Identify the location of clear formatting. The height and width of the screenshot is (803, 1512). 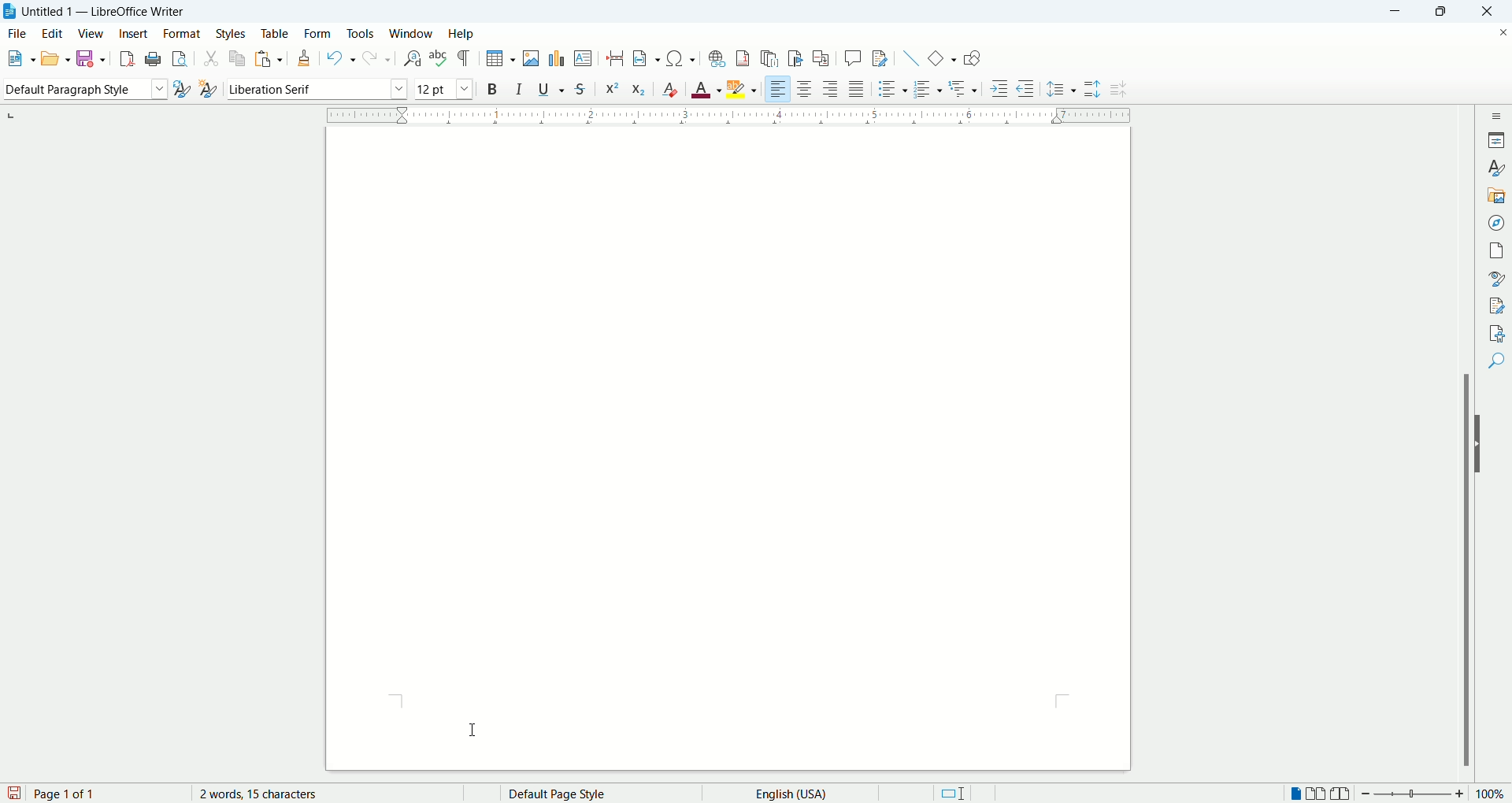
(671, 89).